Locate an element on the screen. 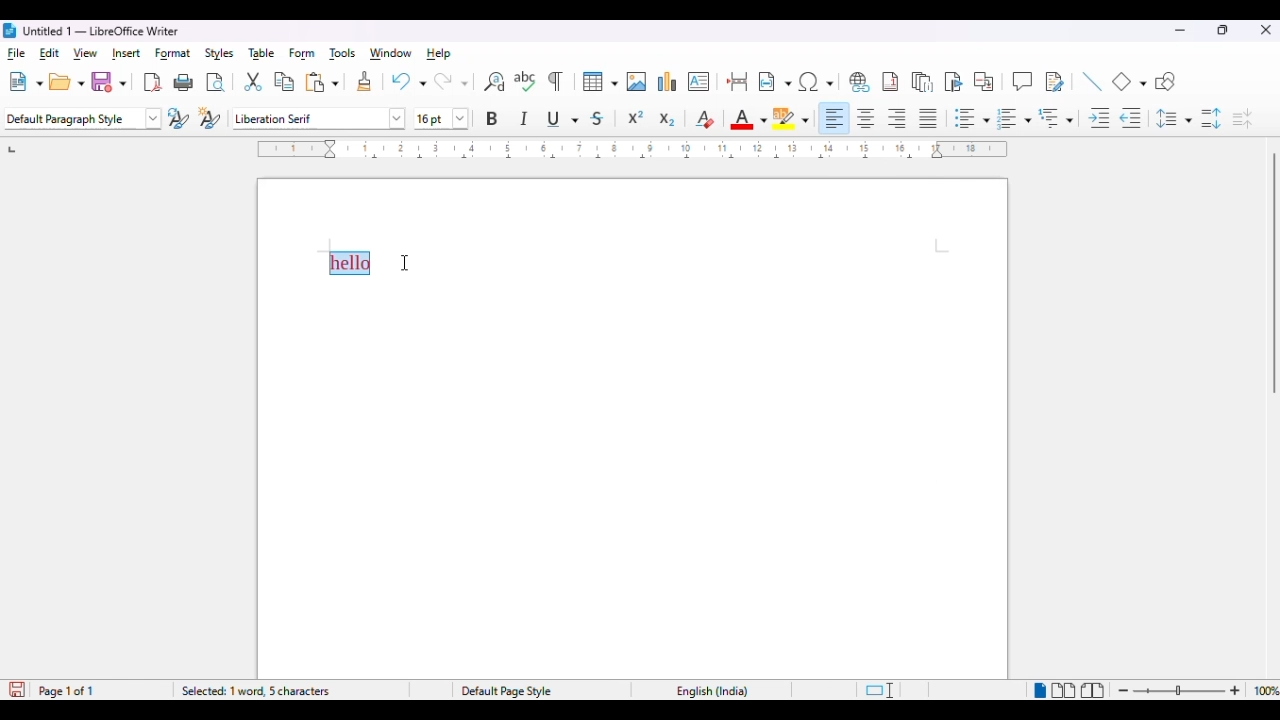  insert cross-reference is located at coordinates (985, 82).